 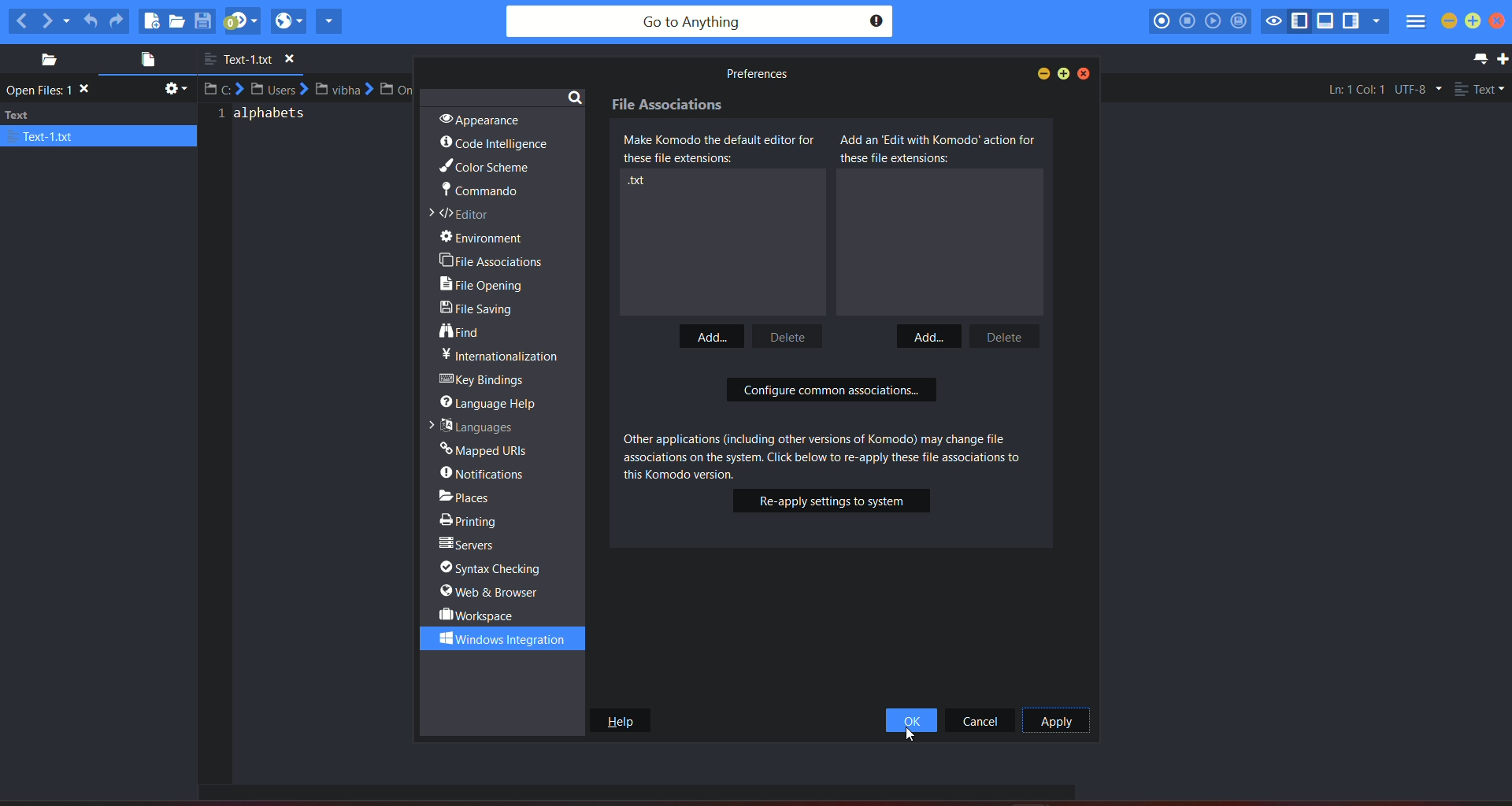 I want to click on key bridges, so click(x=485, y=380).